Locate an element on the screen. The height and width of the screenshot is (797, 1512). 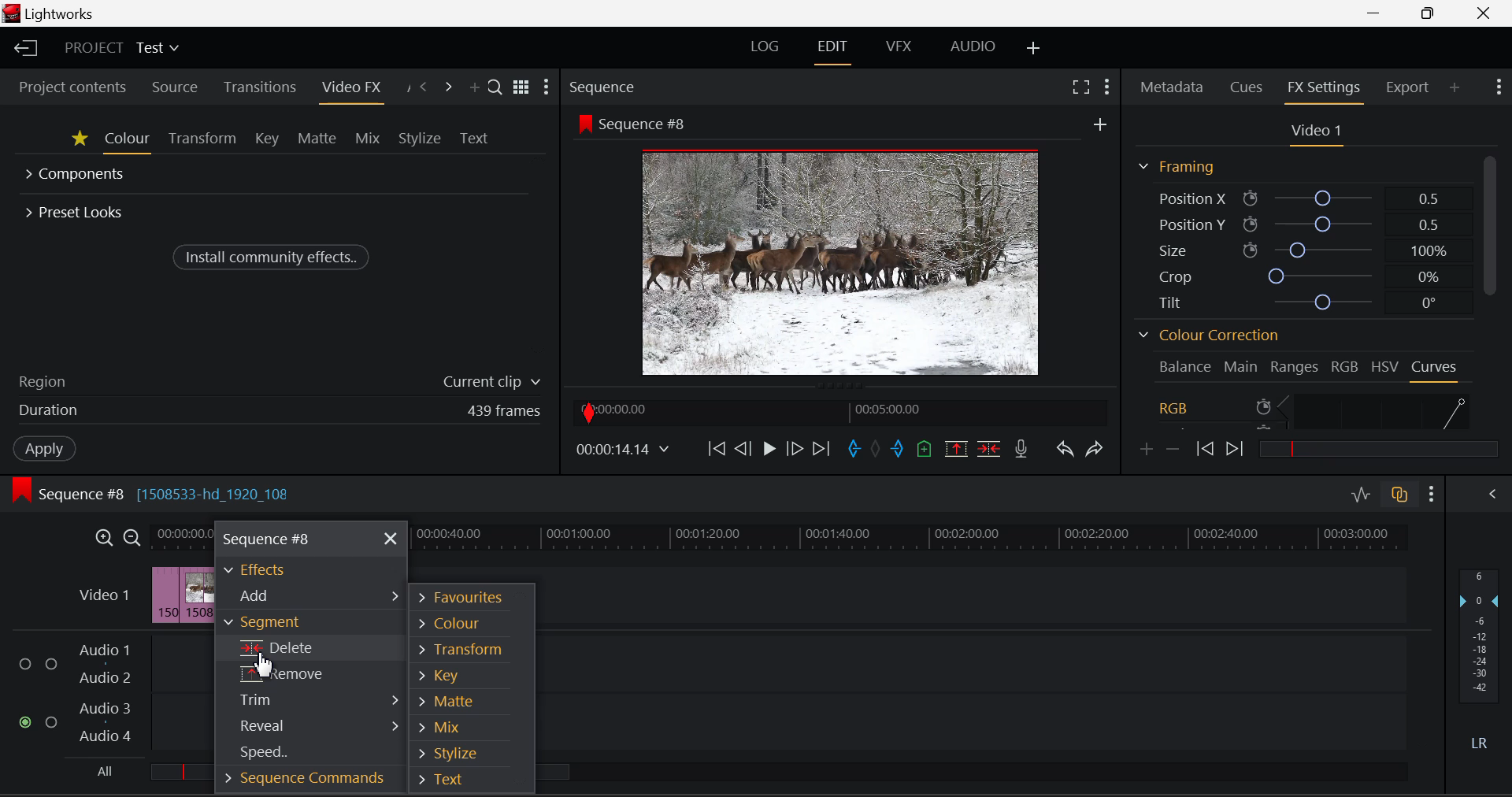
Favorites is located at coordinates (79, 141).